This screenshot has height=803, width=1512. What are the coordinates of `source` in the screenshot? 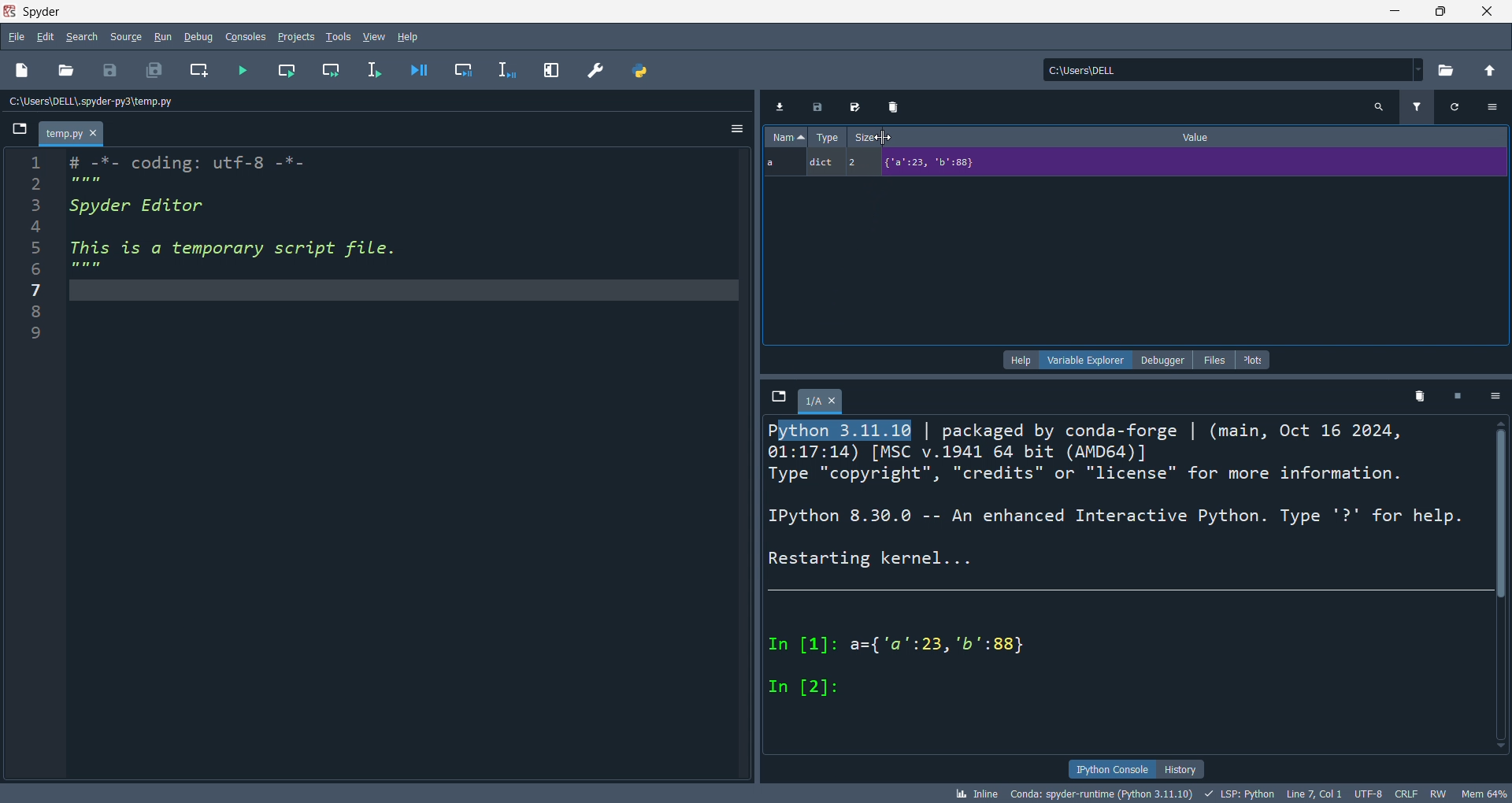 It's located at (124, 35).